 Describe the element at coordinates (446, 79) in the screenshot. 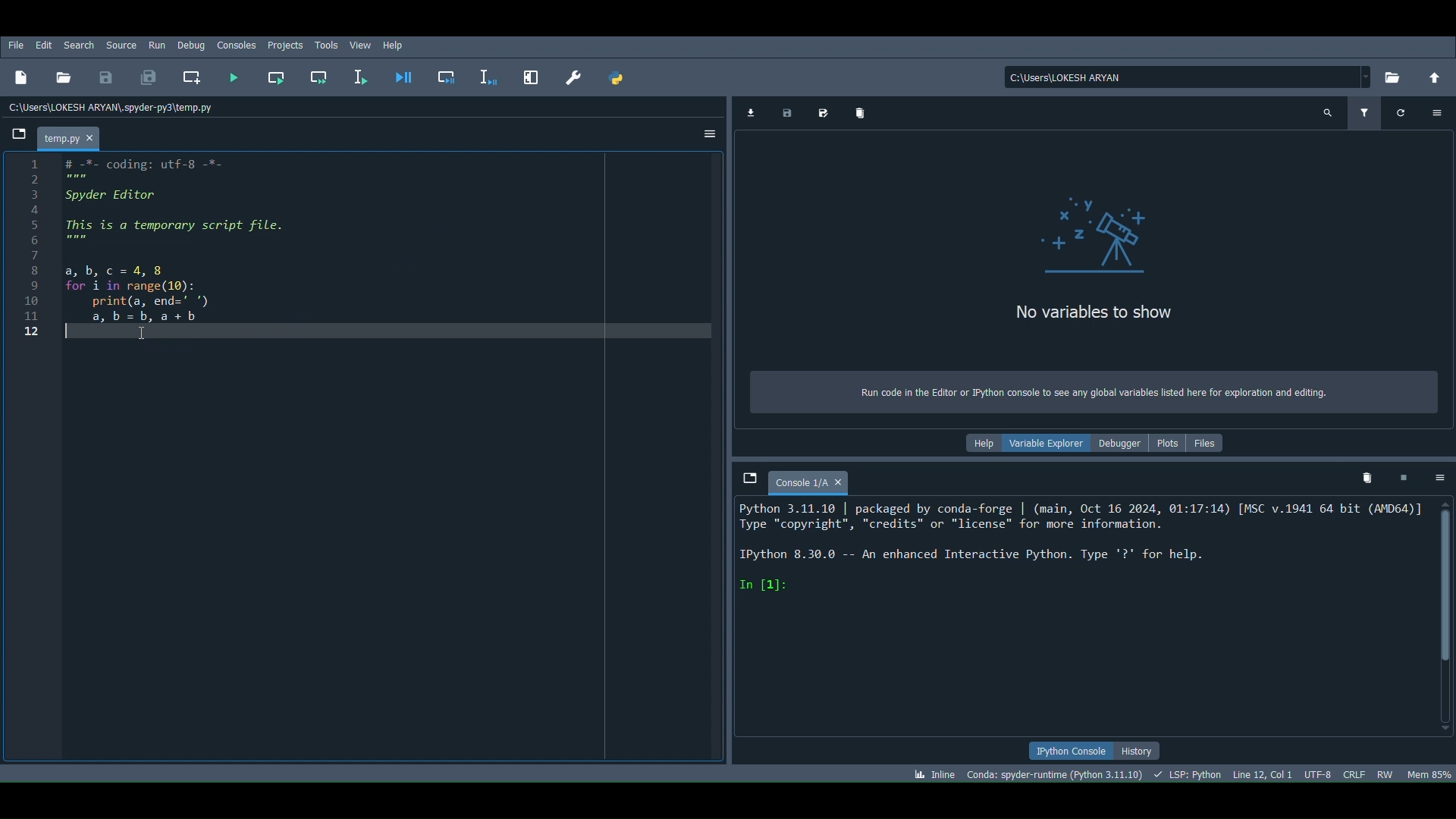

I see `Debug cell` at that location.